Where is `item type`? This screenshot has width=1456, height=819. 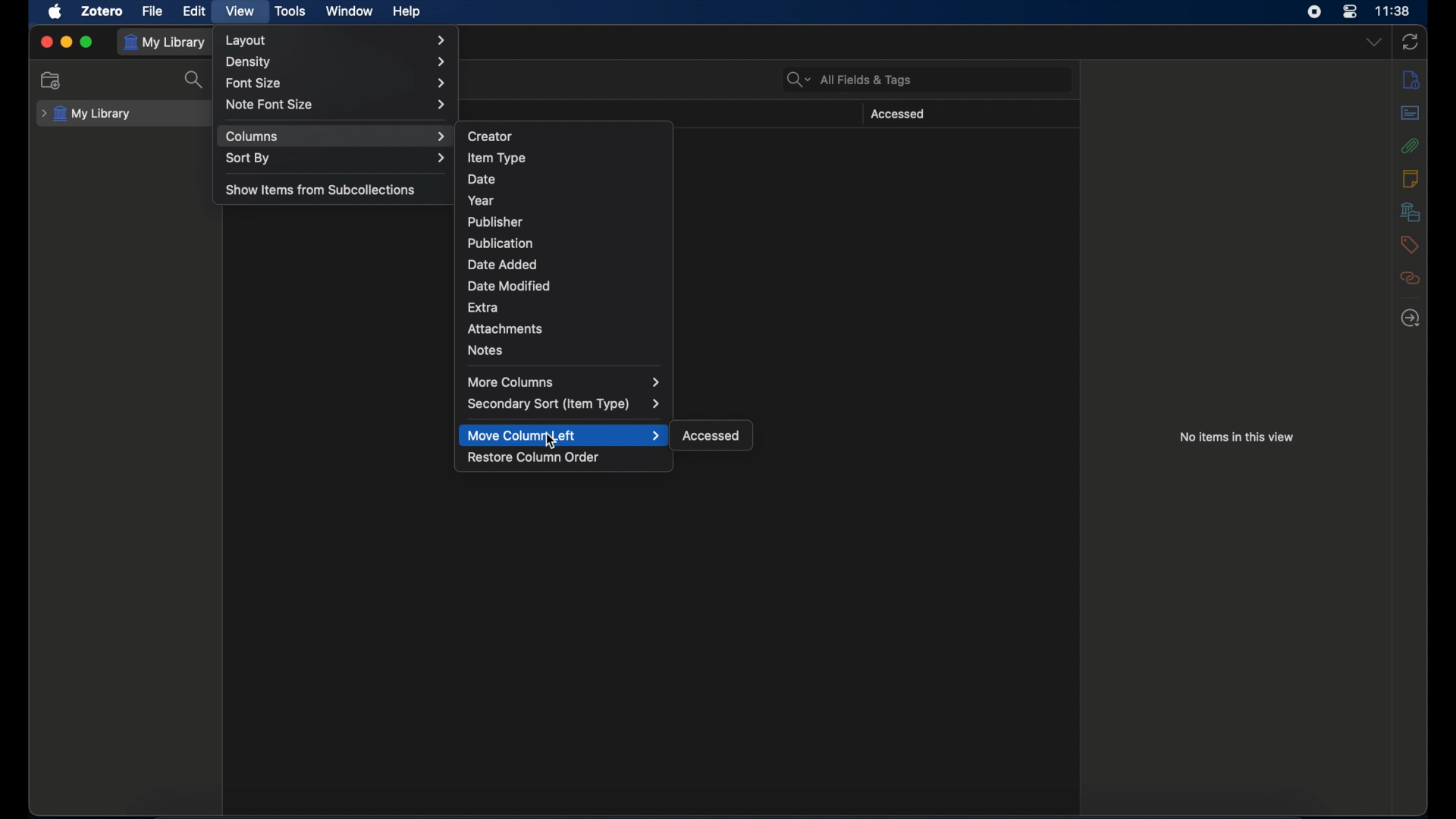
item type is located at coordinates (496, 158).